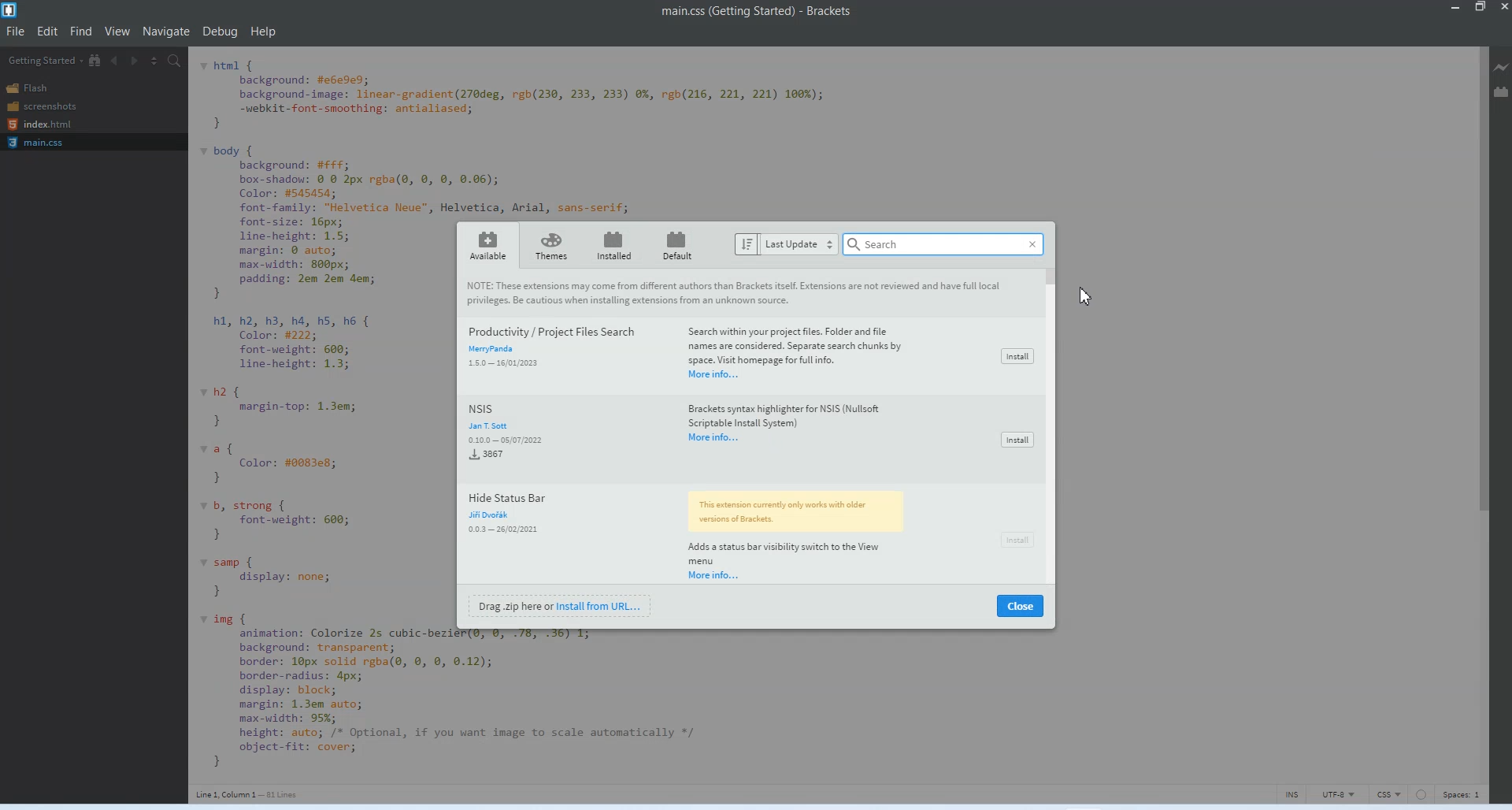  What do you see at coordinates (250, 793) in the screenshot?
I see `Text 3` at bounding box center [250, 793].